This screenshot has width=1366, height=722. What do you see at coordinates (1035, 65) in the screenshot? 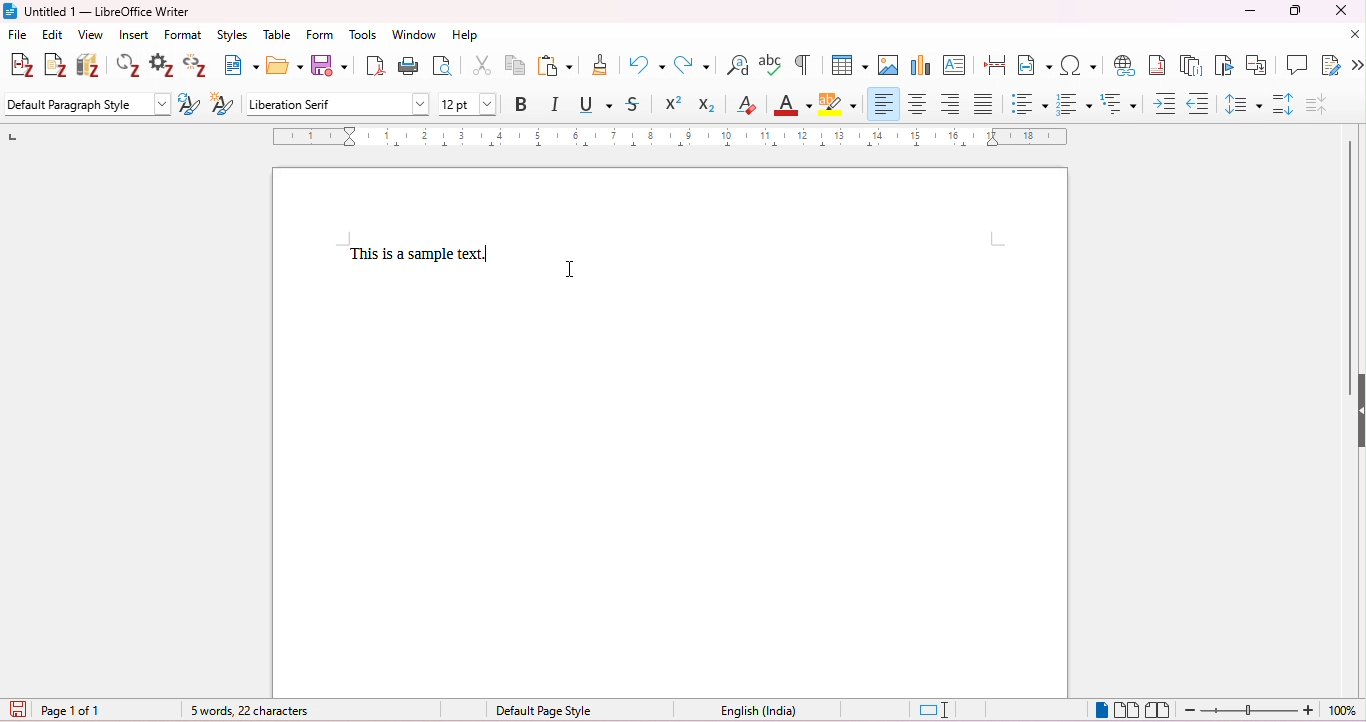
I see `insert field` at bounding box center [1035, 65].